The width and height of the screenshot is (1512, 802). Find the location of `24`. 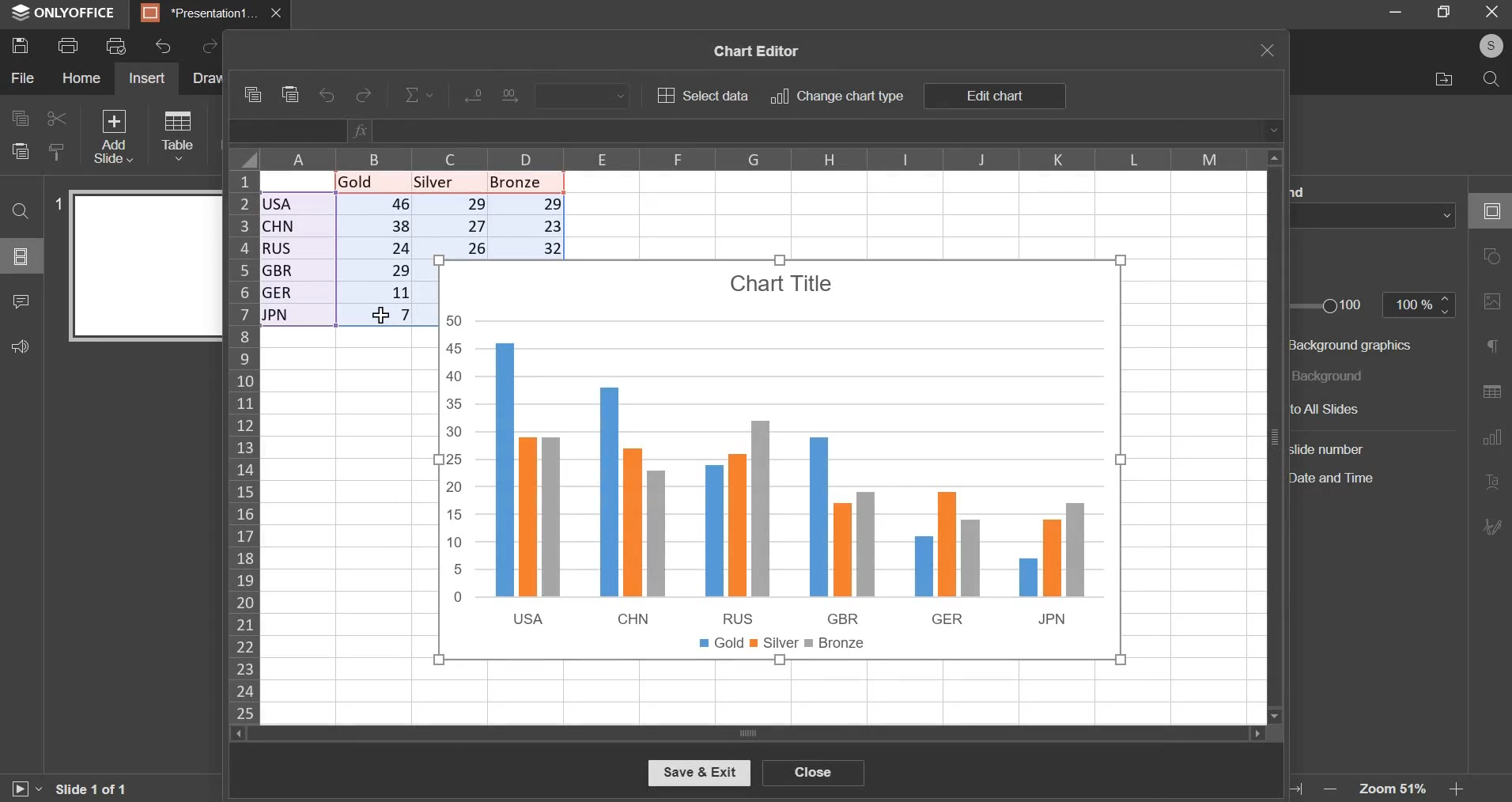

24 is located at coordinates (376, 248).